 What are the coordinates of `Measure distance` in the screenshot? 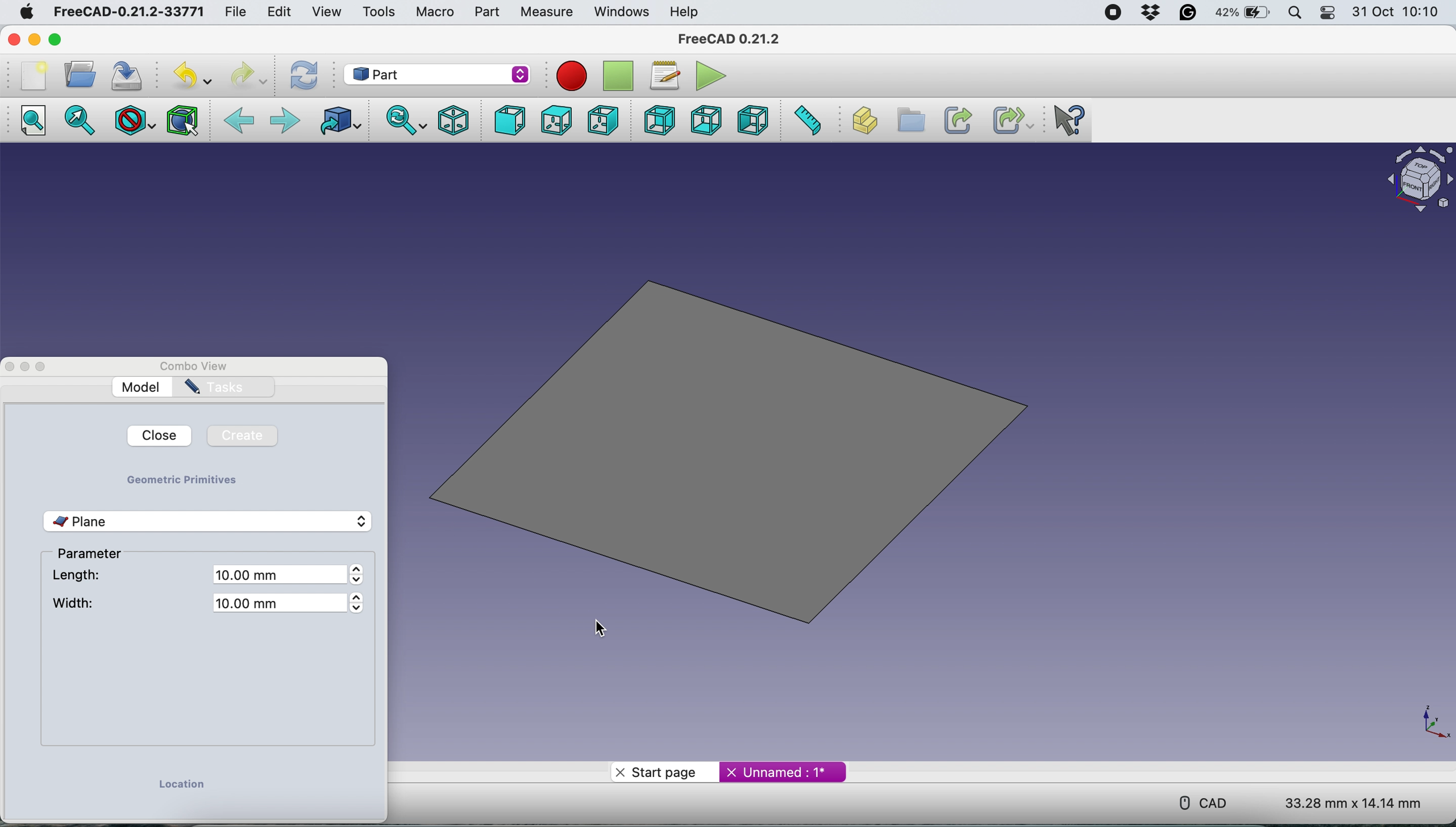 It's located at (806, 122).